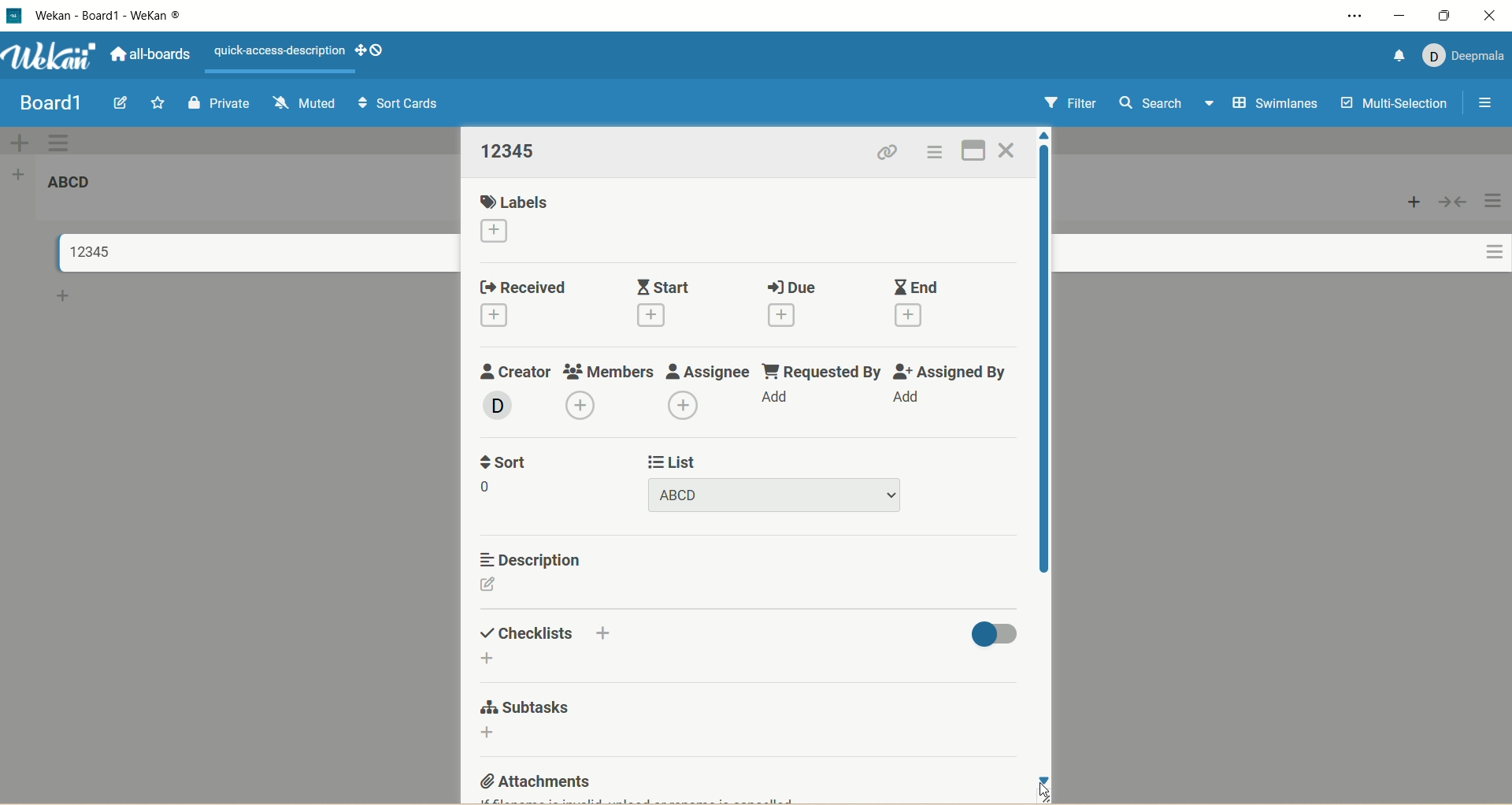 The image size is (1512, 805). What do you see at coordinates (606, 632) in the screenshot?
I see `add` at bounding box center [606, 632].